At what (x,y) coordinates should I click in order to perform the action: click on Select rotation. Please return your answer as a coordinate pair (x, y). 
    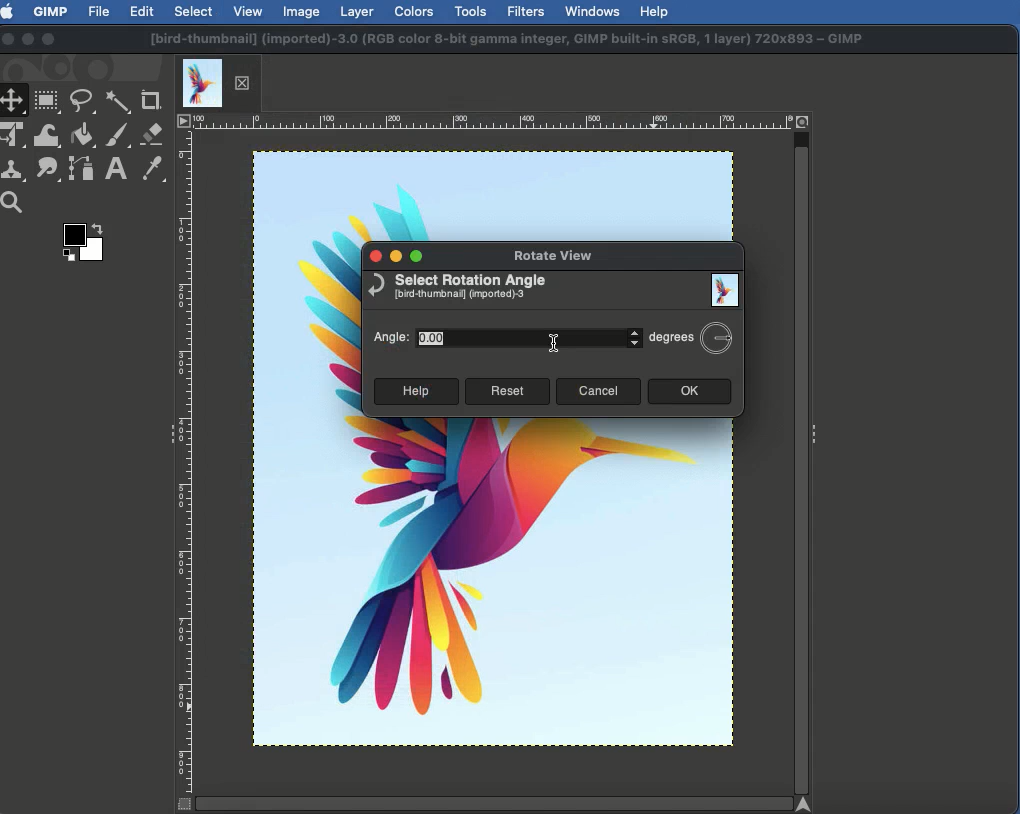
    Looking at the image, I should click on (457, 288).